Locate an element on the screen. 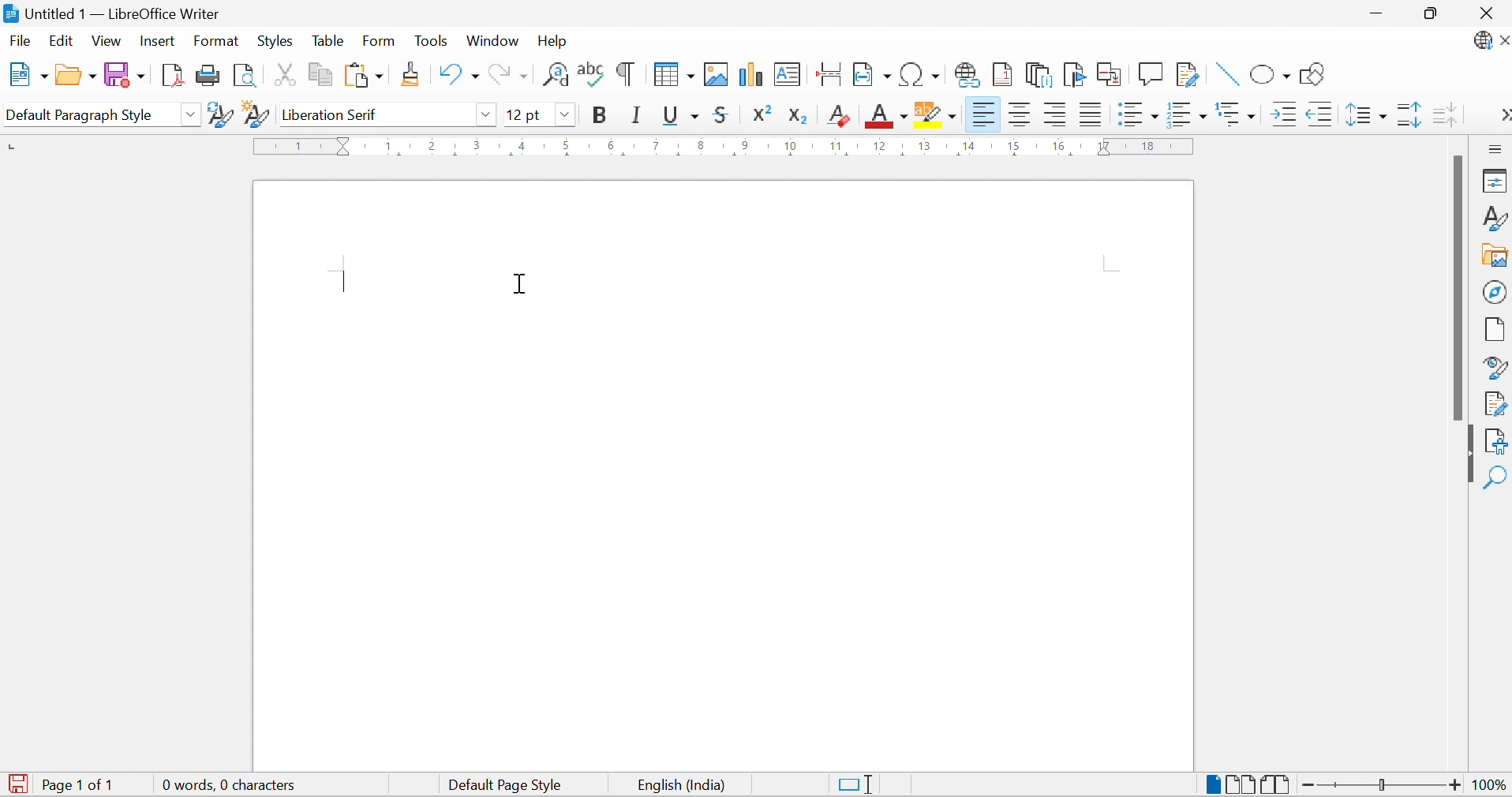 This screenshot has height=797, width=1512. Align Center is located at coordinates (1023, 116).